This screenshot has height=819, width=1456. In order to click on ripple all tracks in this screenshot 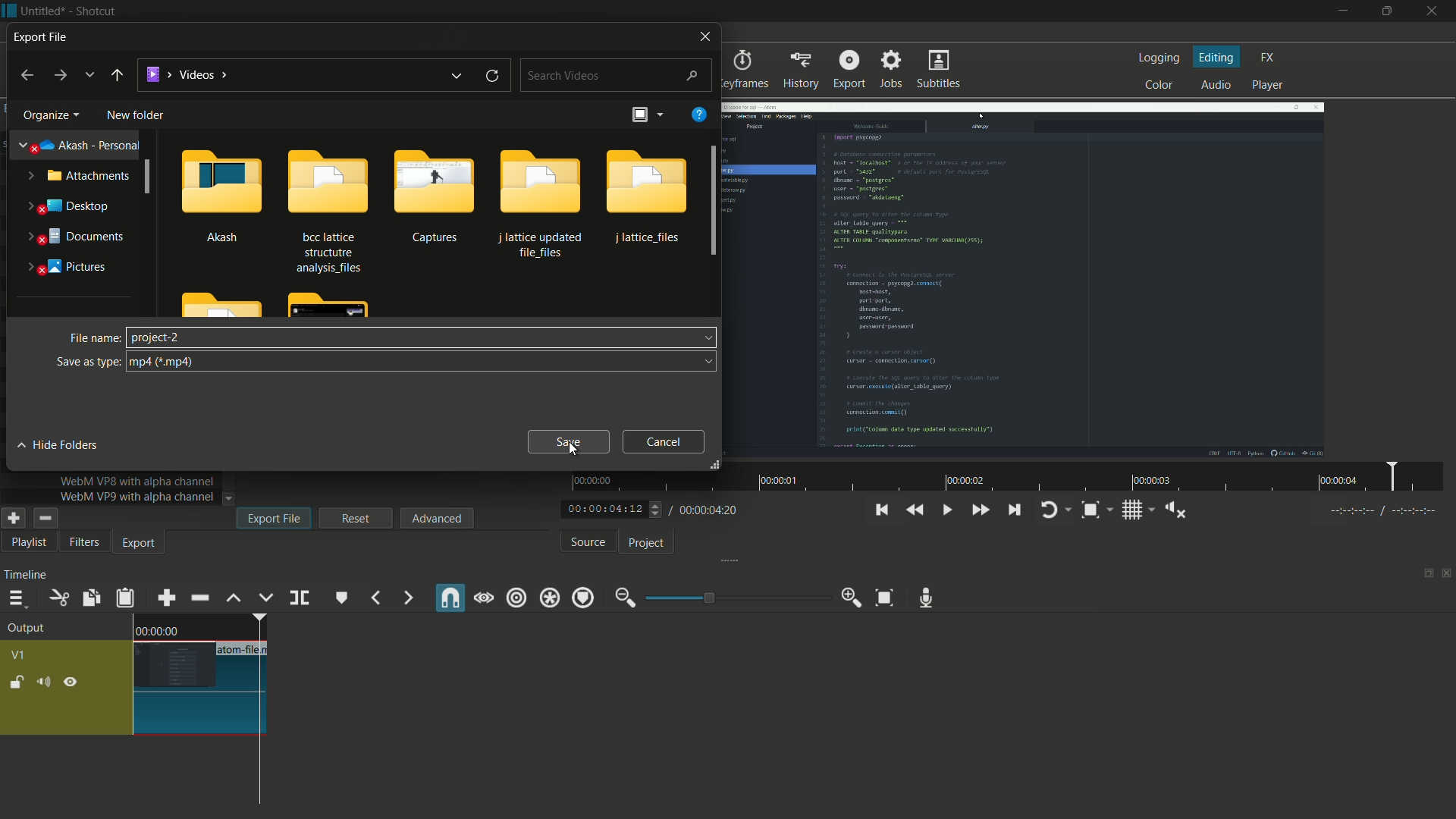, I will do `click(549, 598)`.